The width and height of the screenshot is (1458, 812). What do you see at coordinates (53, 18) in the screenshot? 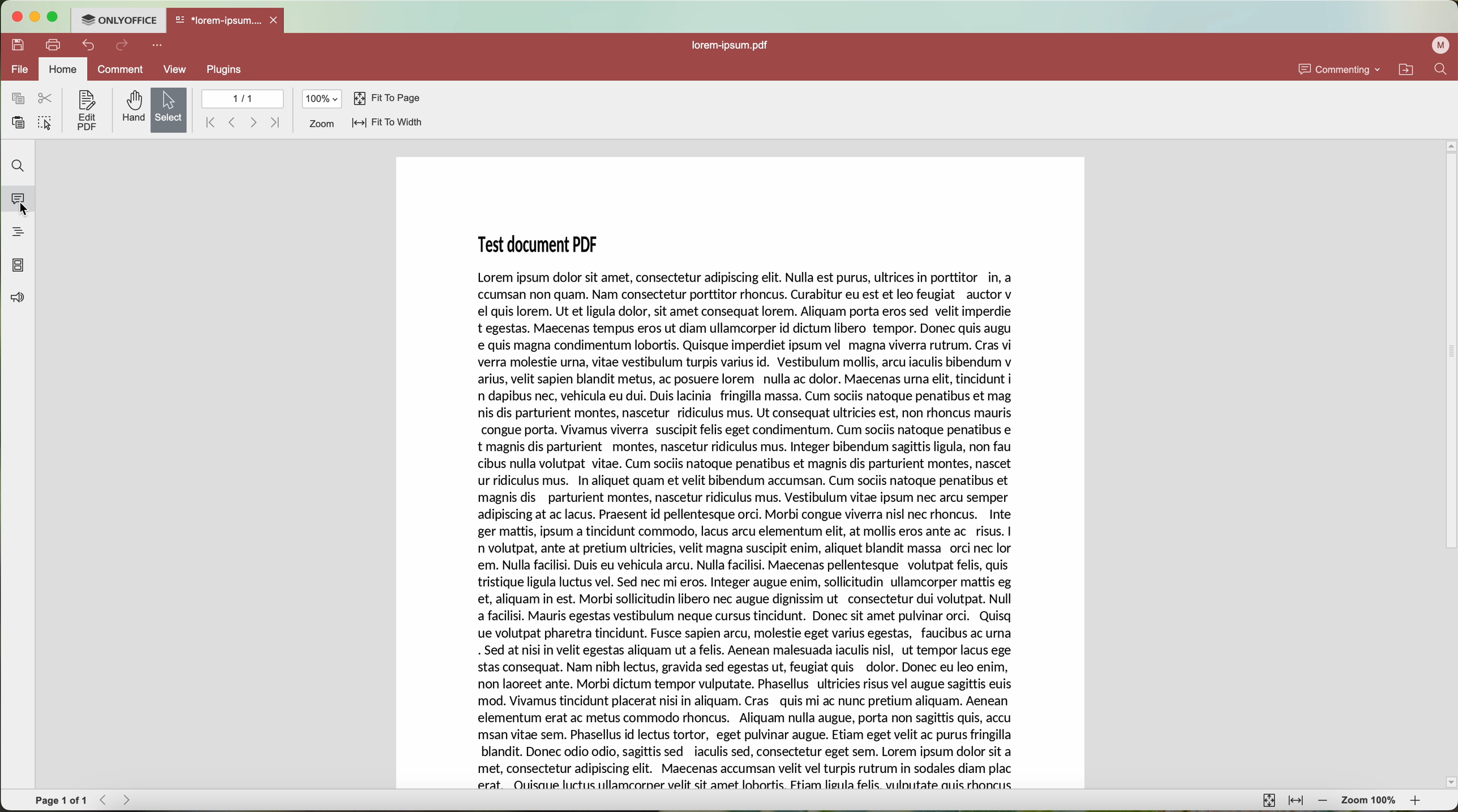
I see `maximize` at bounding box center [53, 18].